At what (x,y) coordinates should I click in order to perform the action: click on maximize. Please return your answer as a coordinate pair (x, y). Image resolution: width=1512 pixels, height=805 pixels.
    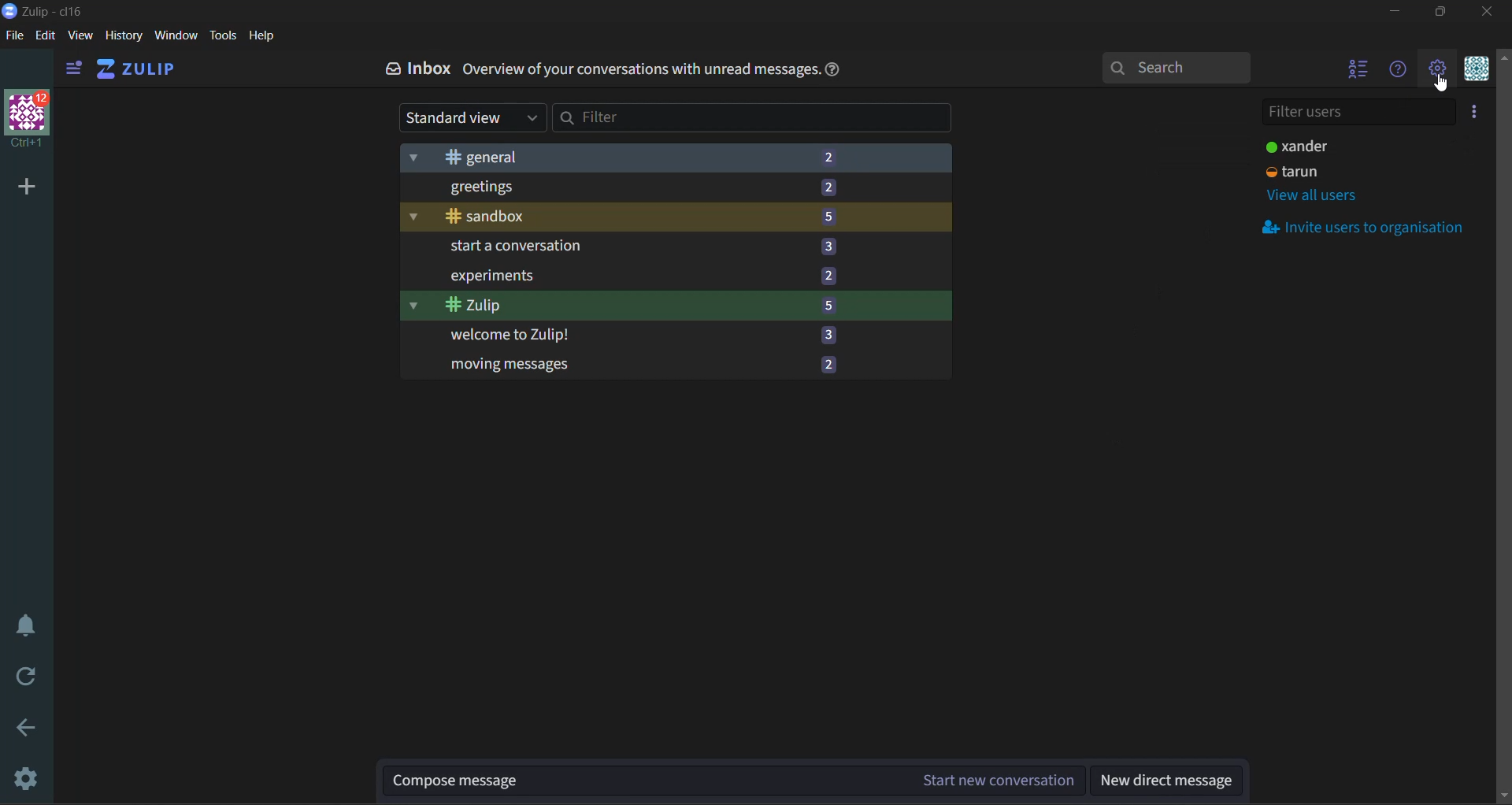
    Looking at the image, I should click on (1443, 13).